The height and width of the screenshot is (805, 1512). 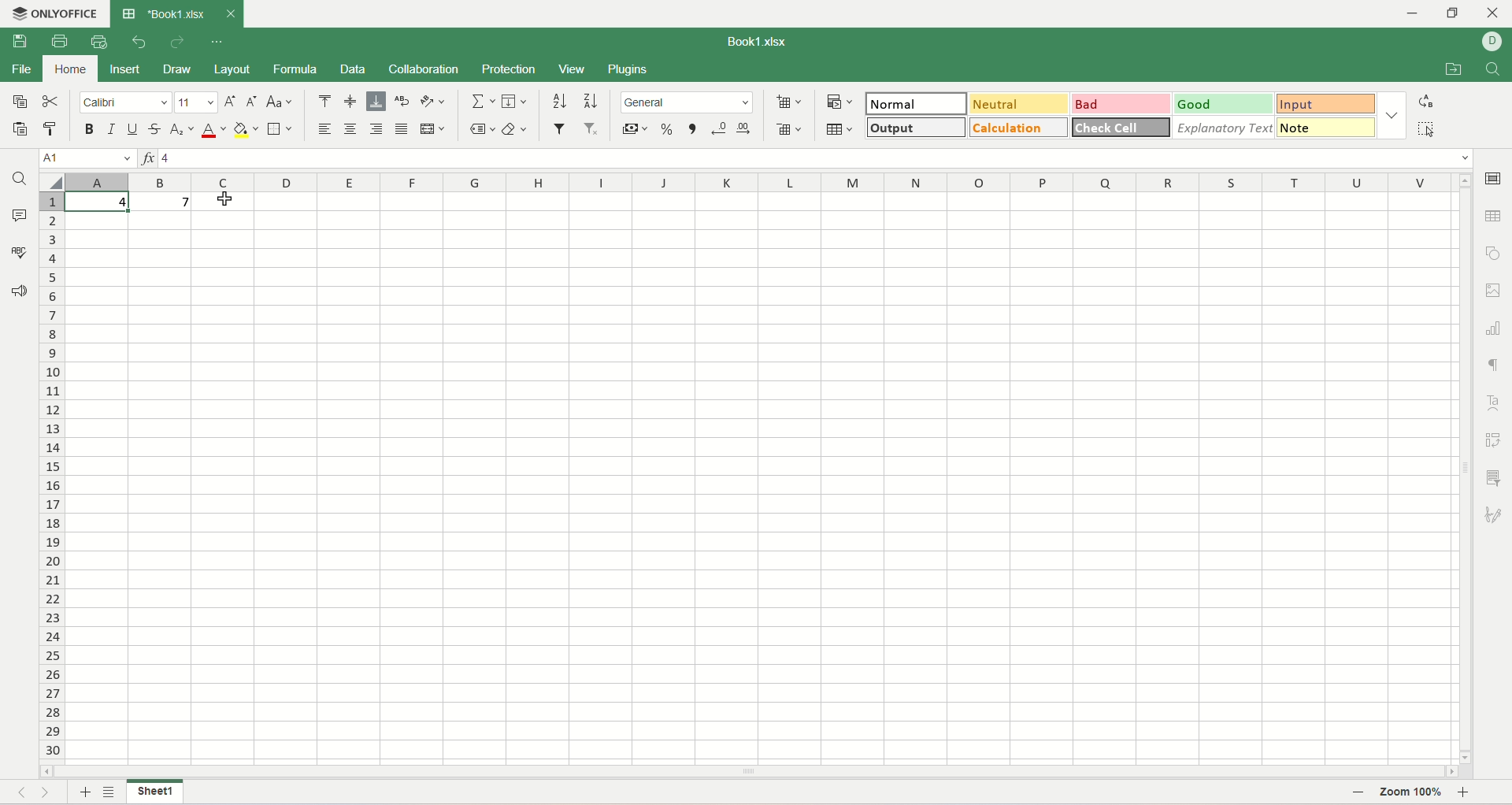 What do you see at coordinates (1492, 403) in the screenshot?
I see `text art settings` at bounding box center [1492, 403].